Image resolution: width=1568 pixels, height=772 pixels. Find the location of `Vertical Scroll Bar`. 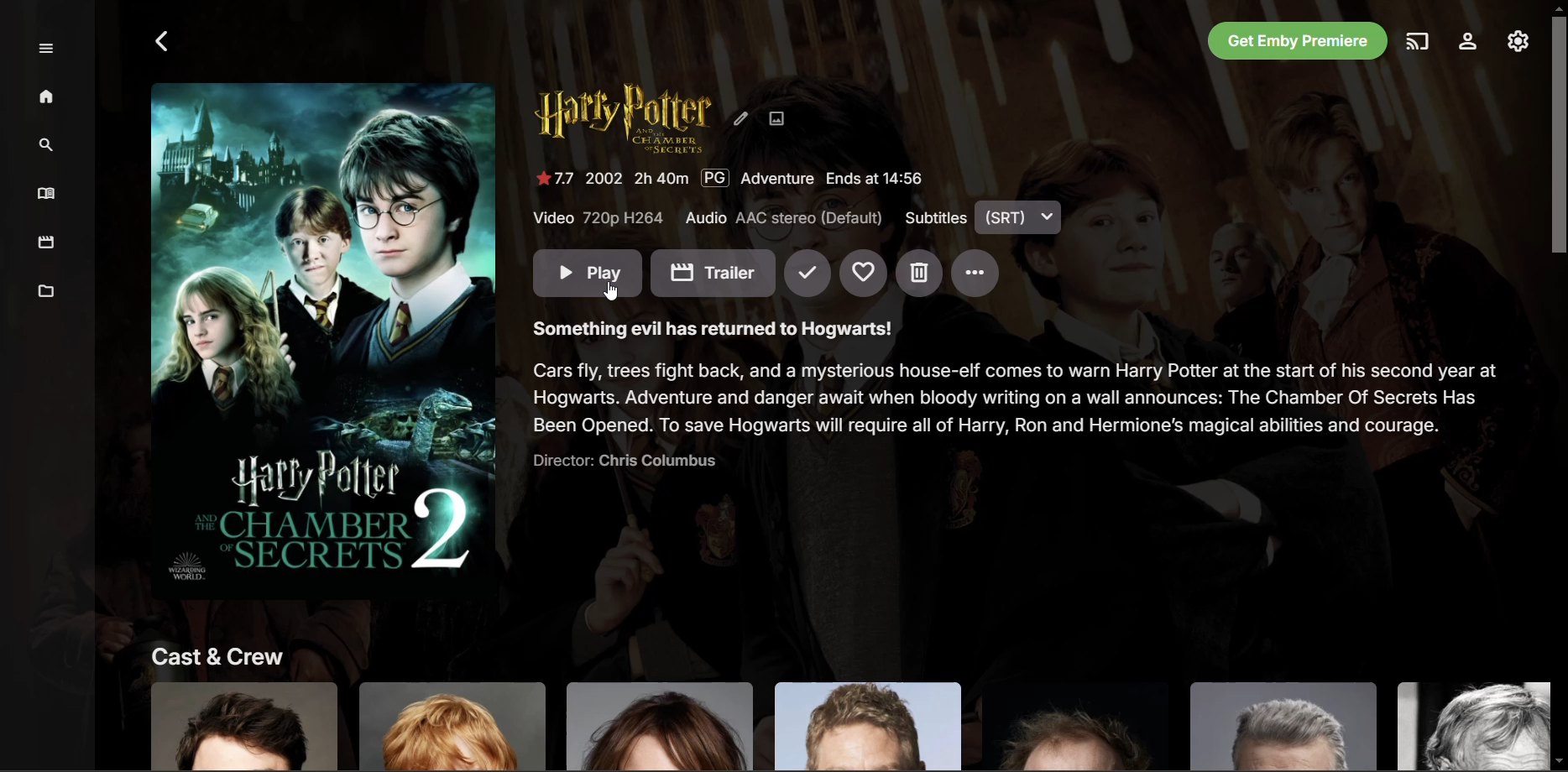

Vertical Scroll Bar is located at coordinates (1558, 386).